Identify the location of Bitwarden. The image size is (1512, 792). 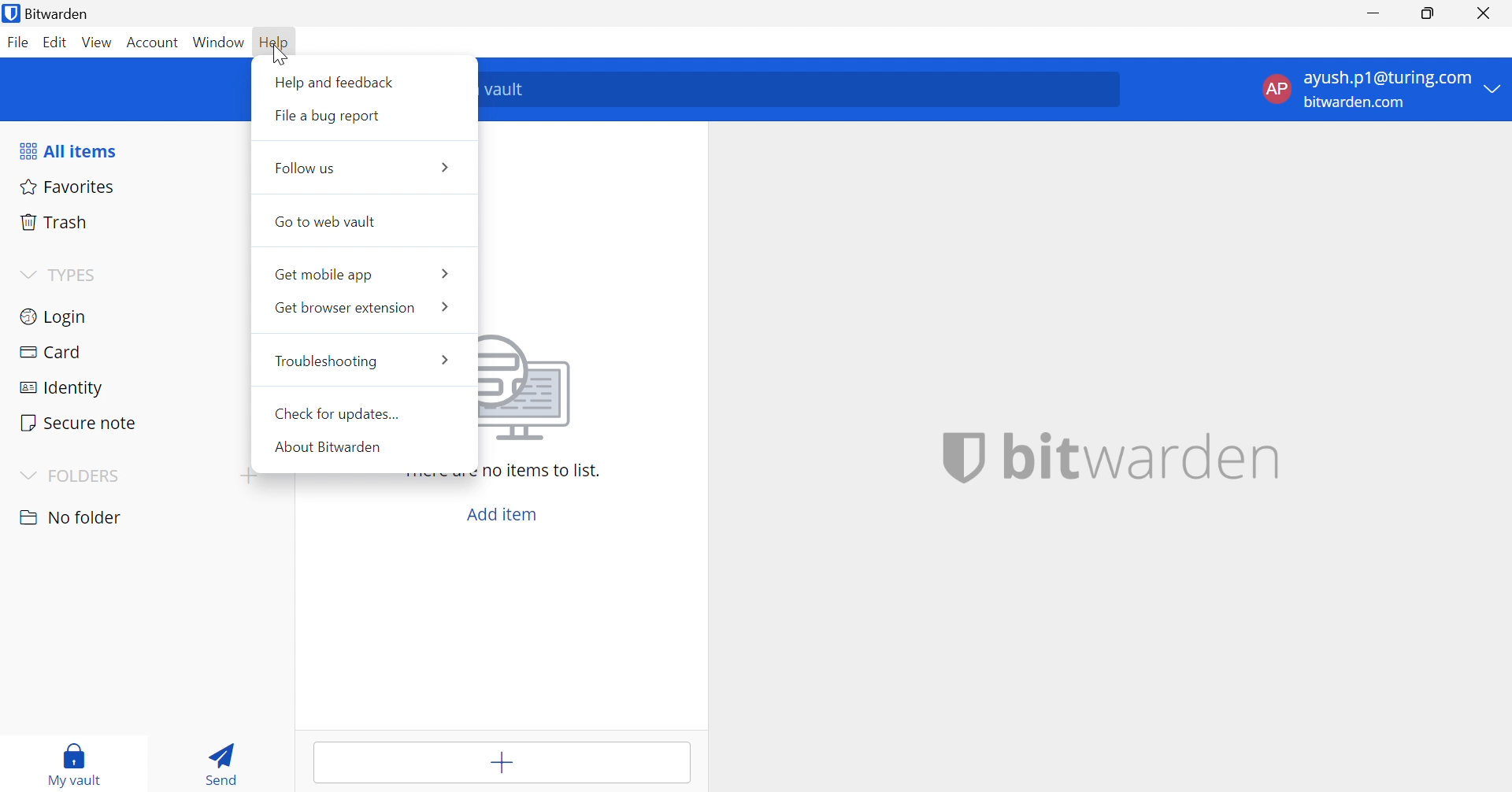
(49, 13).